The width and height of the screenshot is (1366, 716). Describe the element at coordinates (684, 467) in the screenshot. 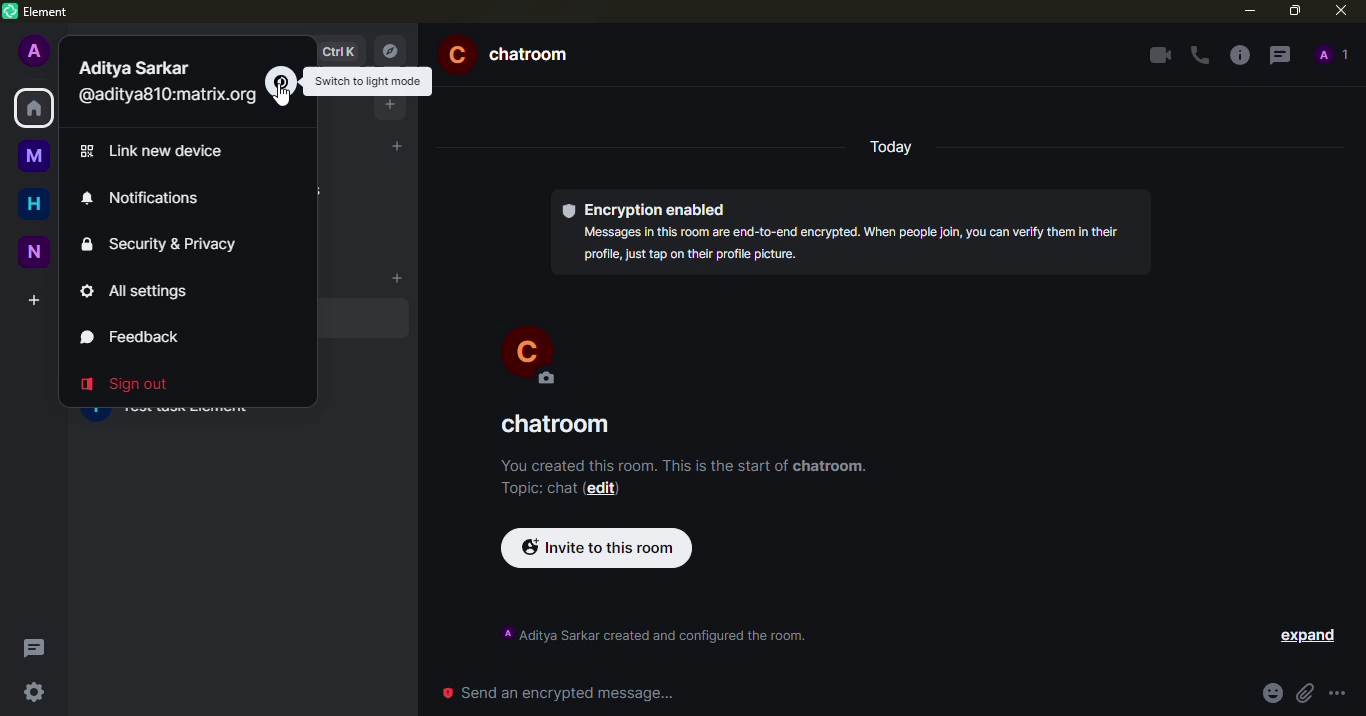

I see `info` at that location.